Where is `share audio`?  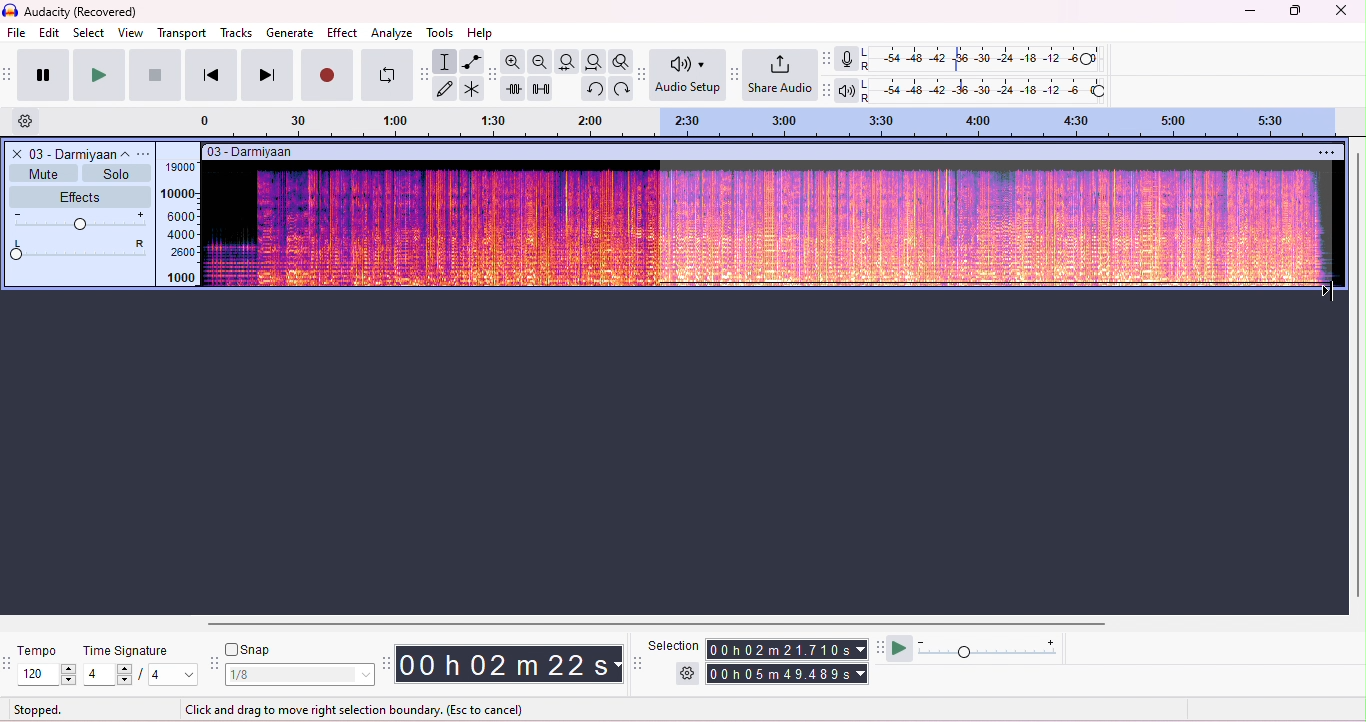
share audio is located at coordinates (782, 76).